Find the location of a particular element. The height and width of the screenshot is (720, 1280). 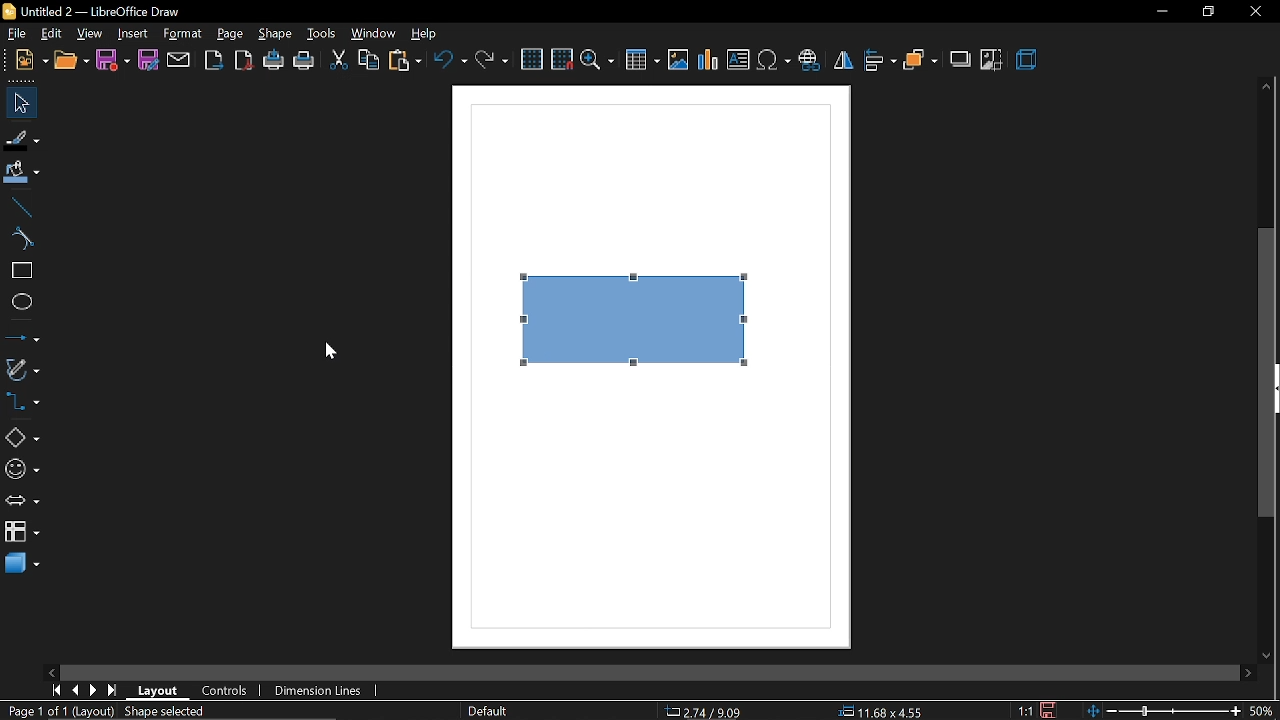

snap to grid is located at coordinates (561, 59).